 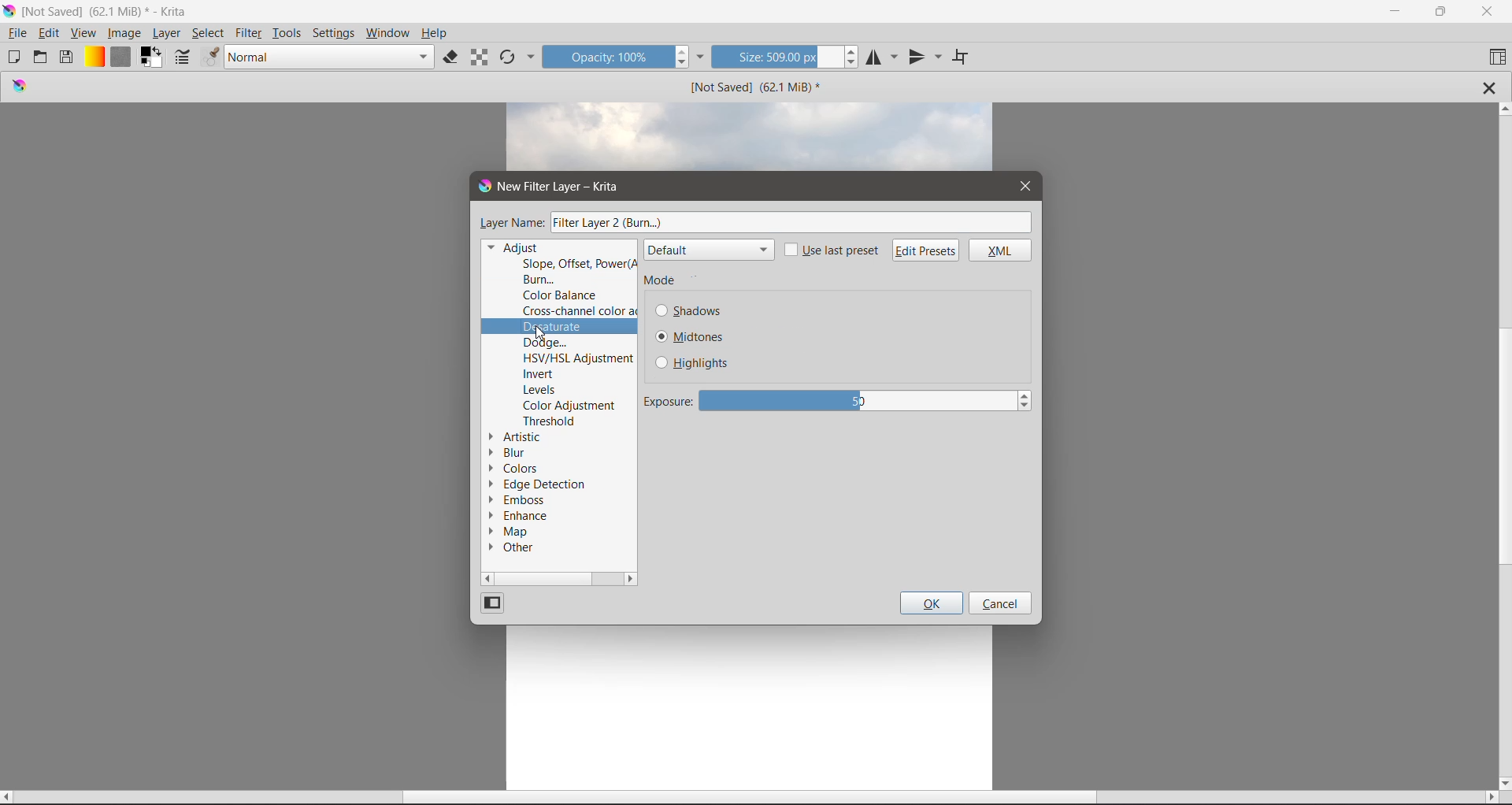 What do you see at coordinates (832, 250) in the screenshot?
I see `Use last preset - click to enable/disable` at bounding box center [832, 250].